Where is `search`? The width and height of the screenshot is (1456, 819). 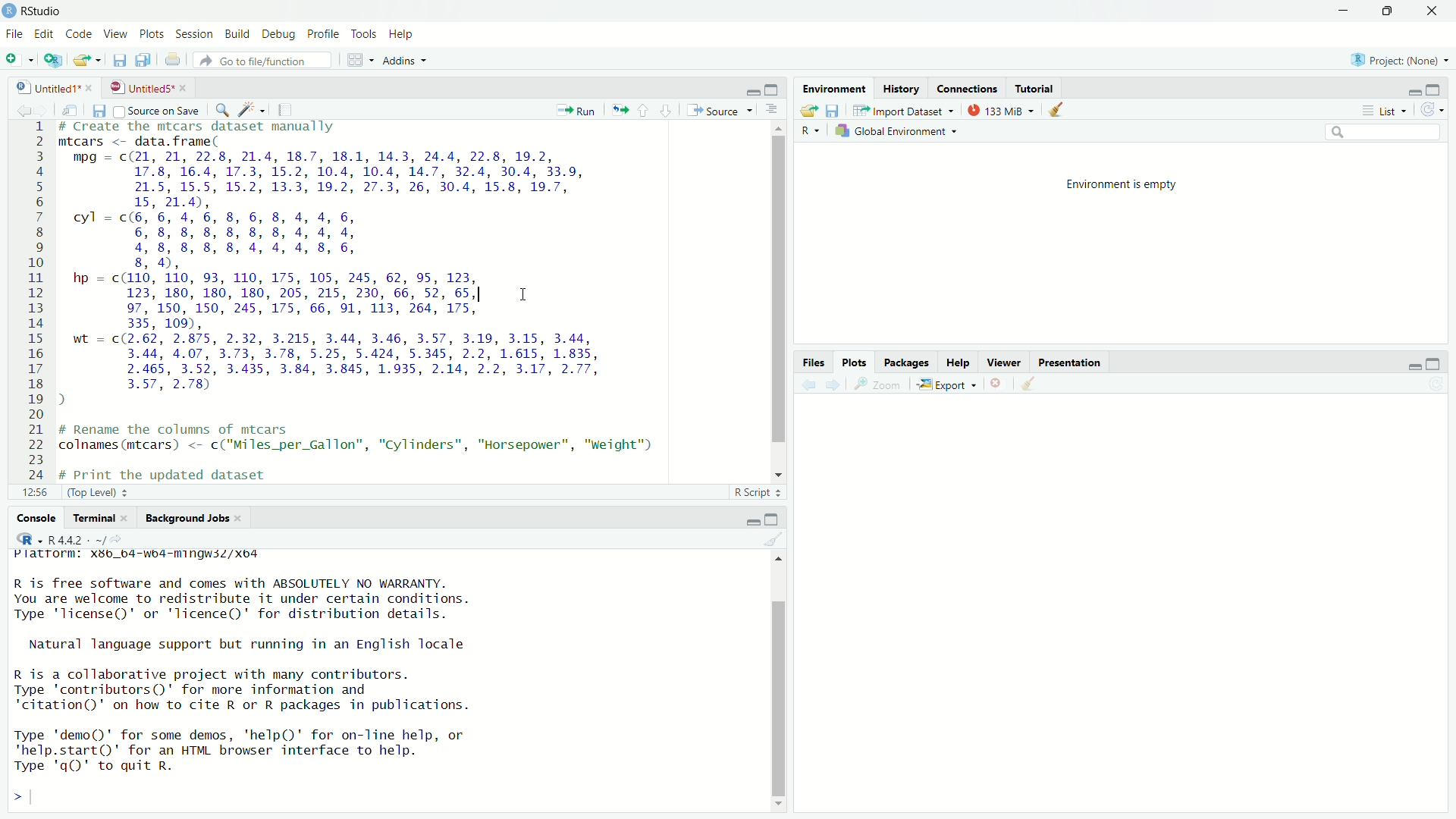
search is located at coordinates (1381, 133).